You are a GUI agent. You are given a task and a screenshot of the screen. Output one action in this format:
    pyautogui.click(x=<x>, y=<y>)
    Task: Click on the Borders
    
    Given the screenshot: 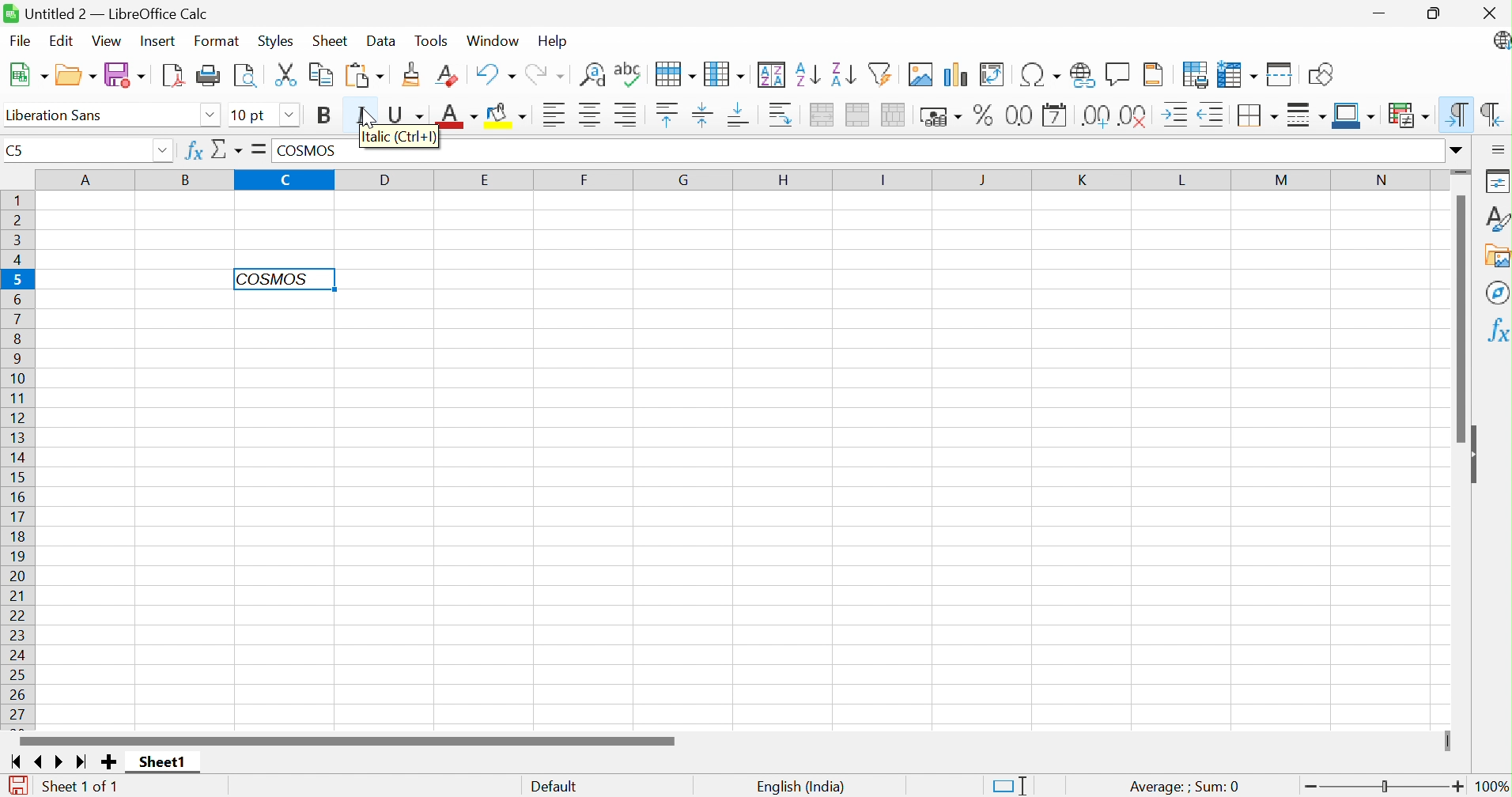 What is the action you would take?
    pyautogui.click(x=1255, y=116)
    